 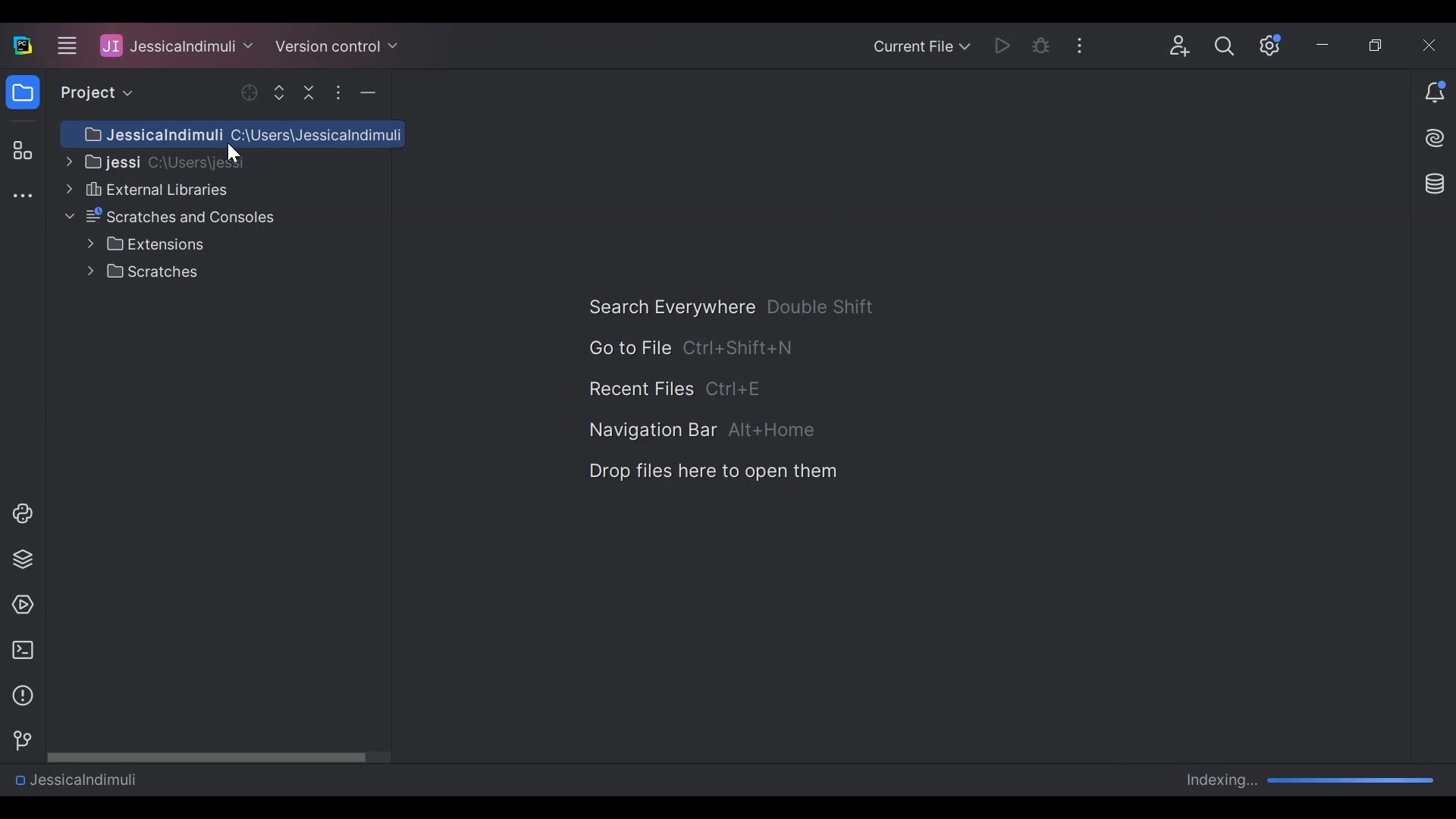 I want to click on folder, so click(x=22, y=95).